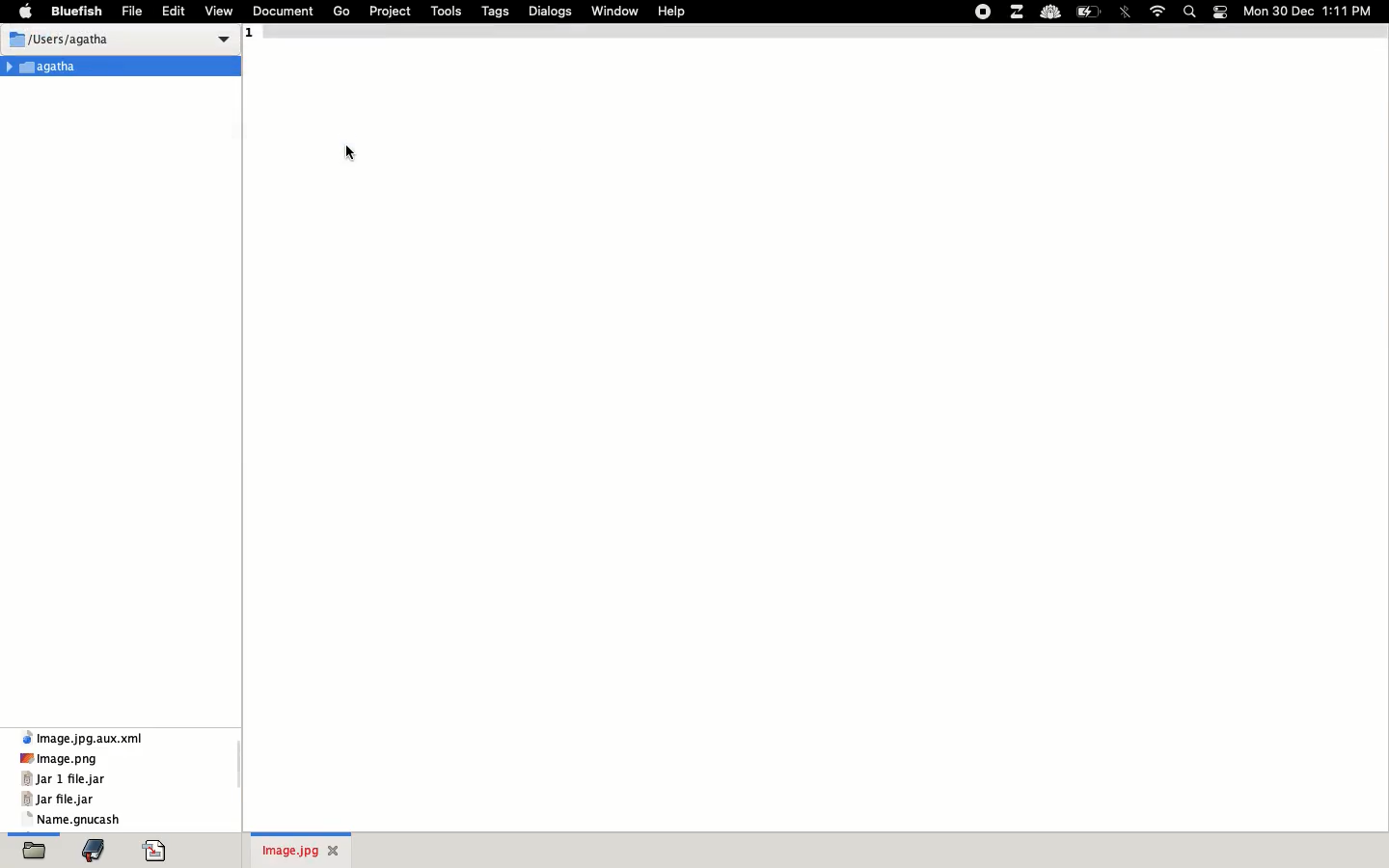  Describe the element at coordinates (78, 820) in the screenshot. I see `name.gnucash` at that location.